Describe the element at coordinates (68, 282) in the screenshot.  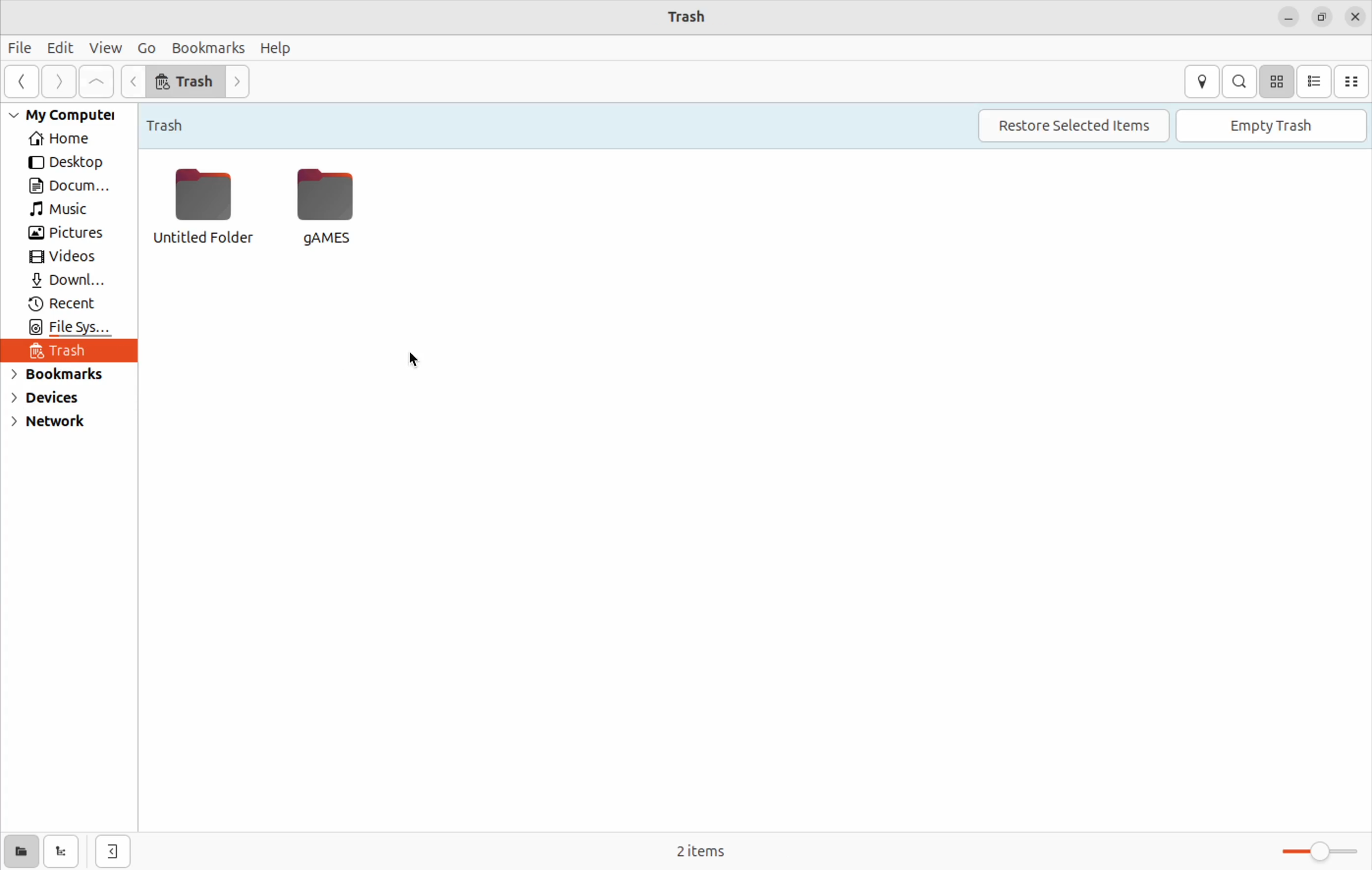
I see `Downloads` at that location.